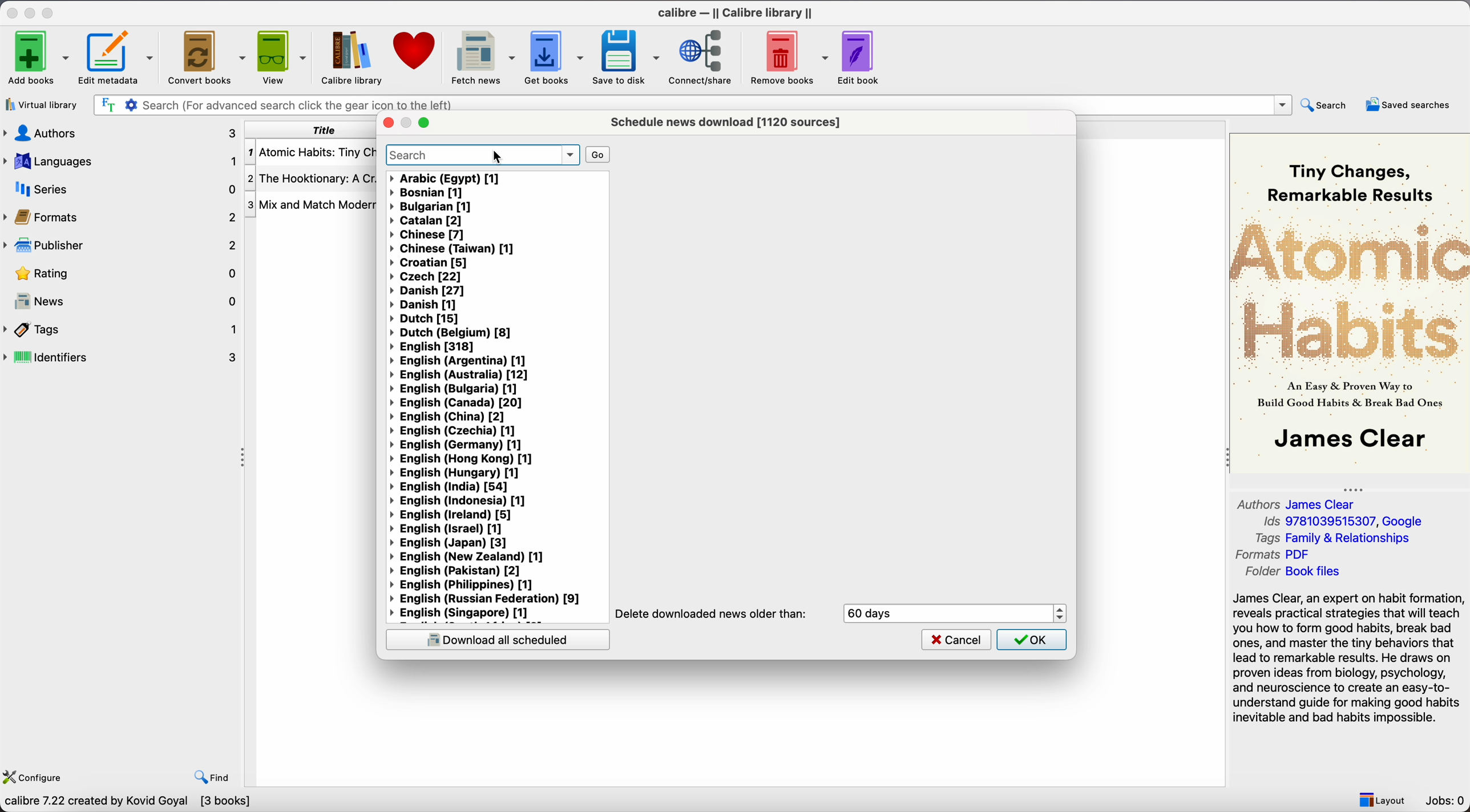  I want to click on Chinese [7], so click(428, 234).